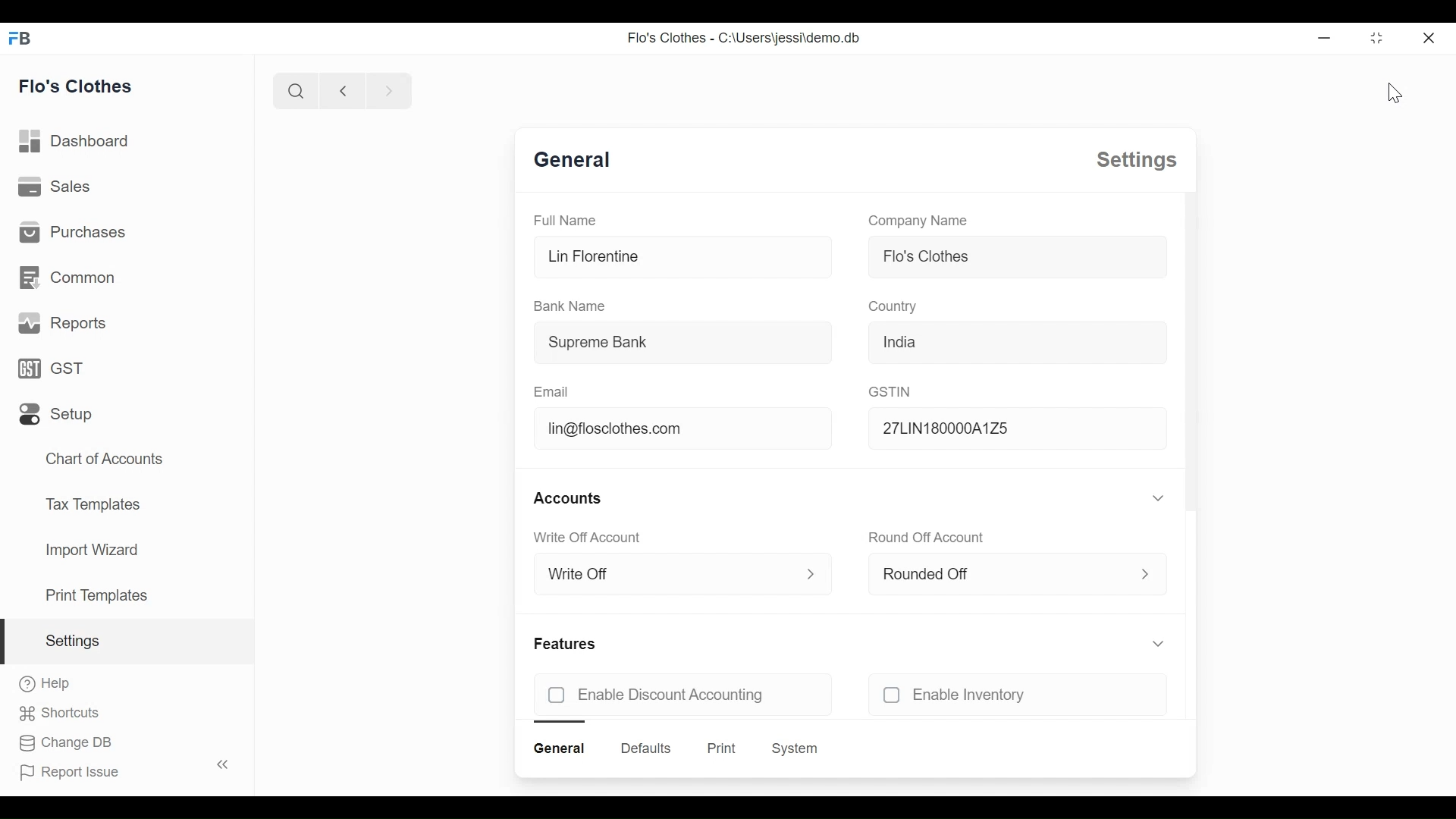 The image size is (1456, 819). Describe the element at coordinates (584, 576) in the screenshot. I see `Write Off` at that location.